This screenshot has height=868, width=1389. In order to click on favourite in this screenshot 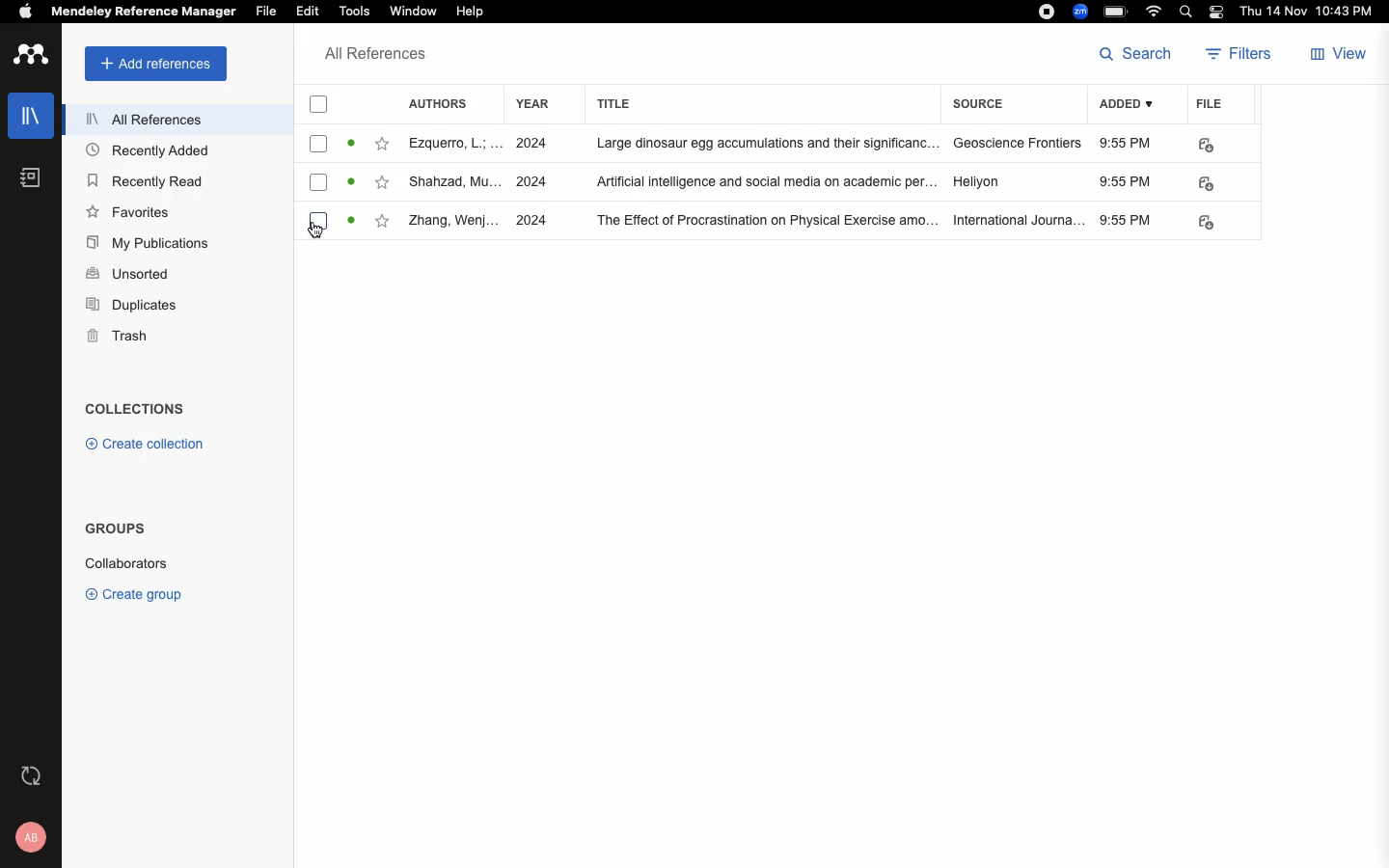, I will do `click(385, 145)`.